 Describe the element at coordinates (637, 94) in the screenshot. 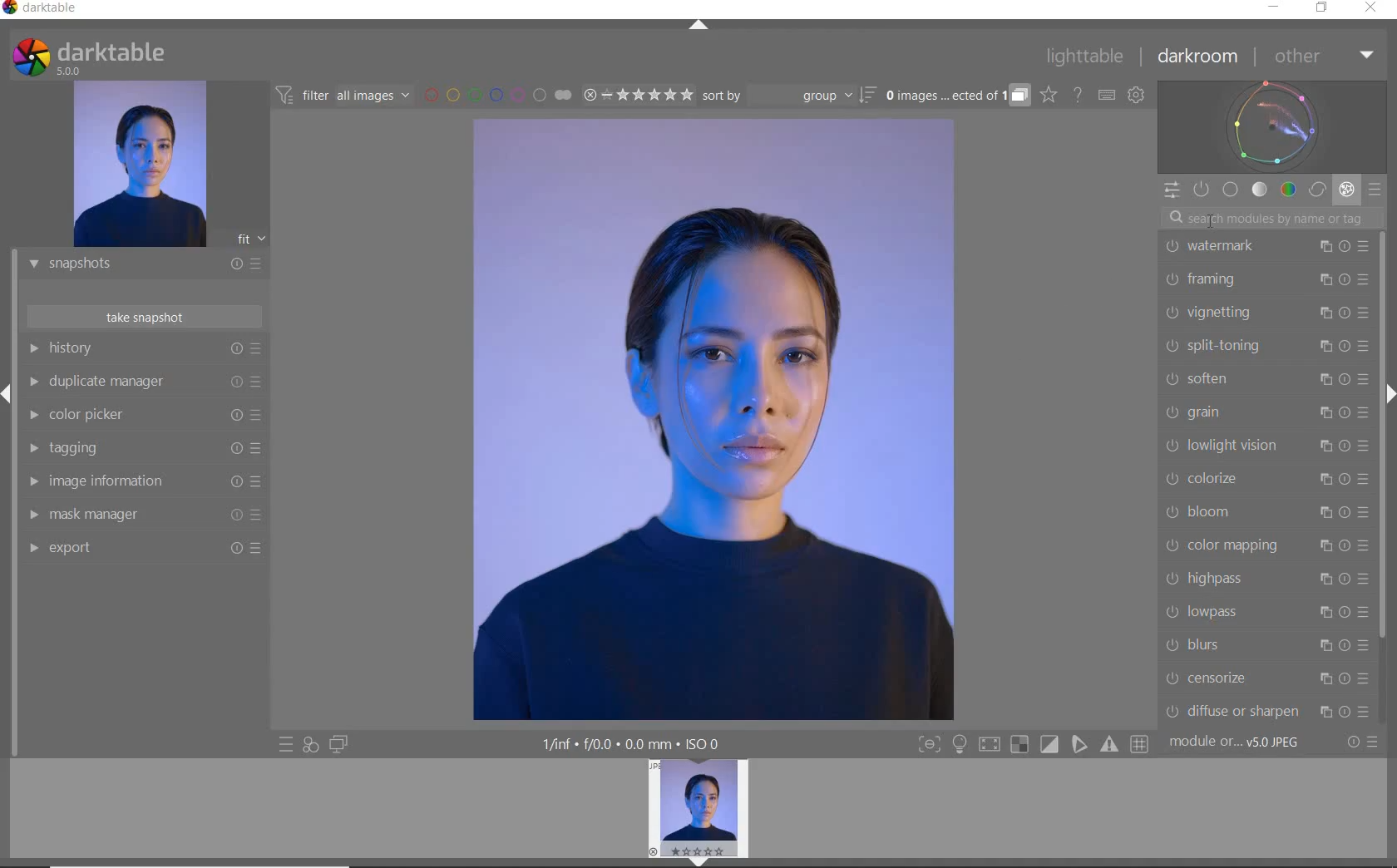

I see `RANGE RATING OF SELECTED IMAGES` at that location.